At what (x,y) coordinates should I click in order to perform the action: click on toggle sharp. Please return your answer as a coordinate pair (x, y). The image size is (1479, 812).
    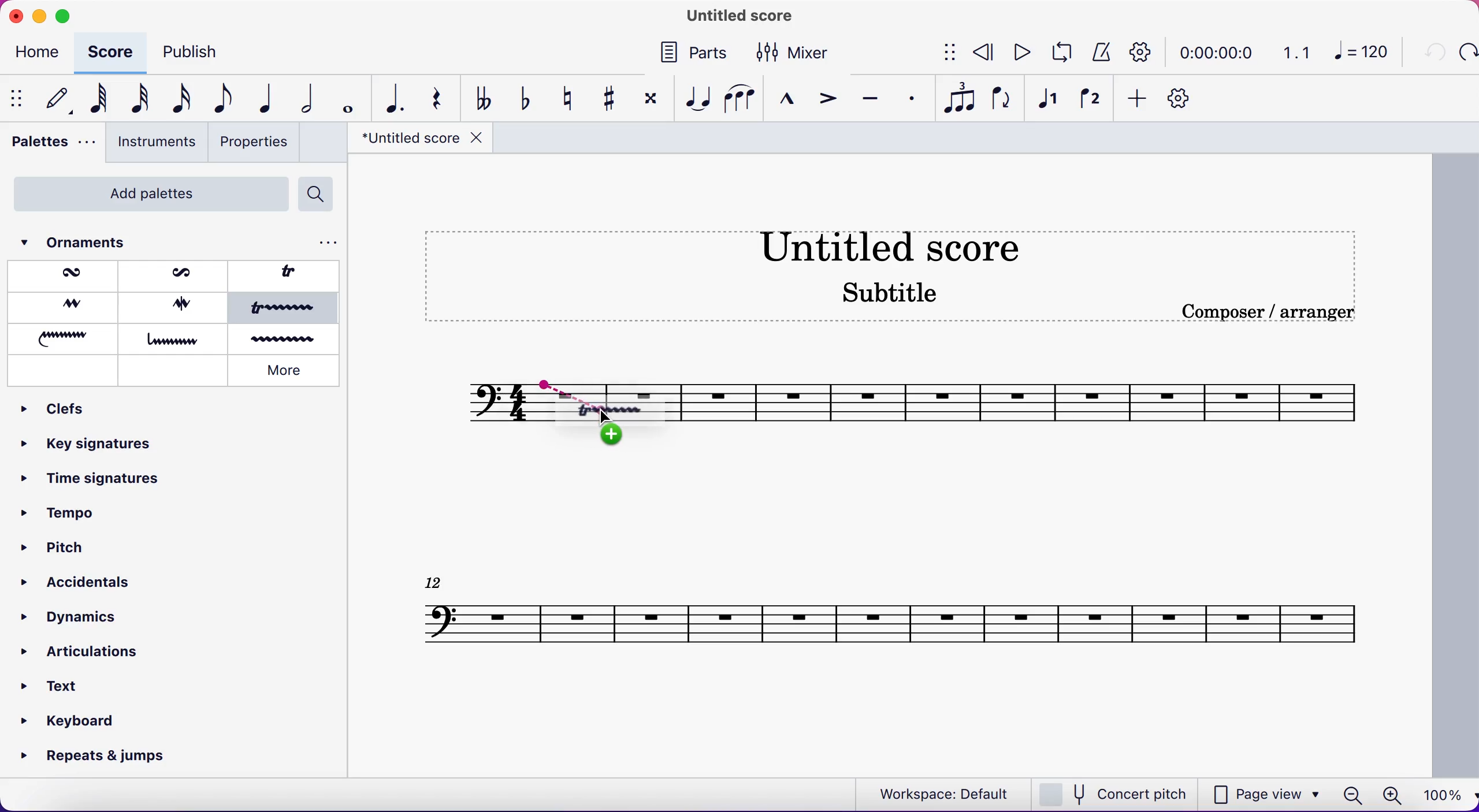
    Looking at the image, I should click on (607, 97).